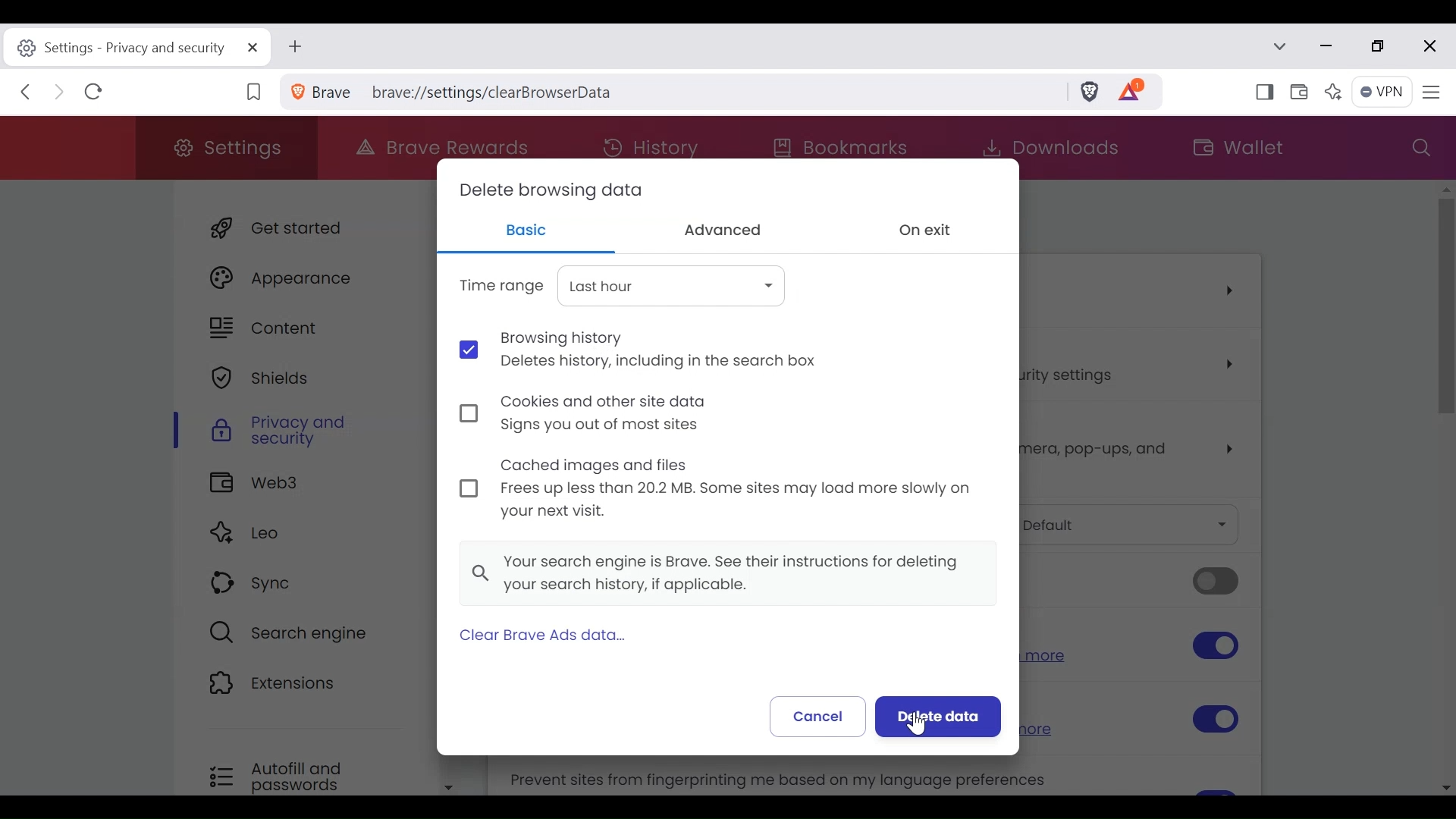  Describe the element at coordinates (849, 151) in the screenshot. I see `Bookmarks` at that location.